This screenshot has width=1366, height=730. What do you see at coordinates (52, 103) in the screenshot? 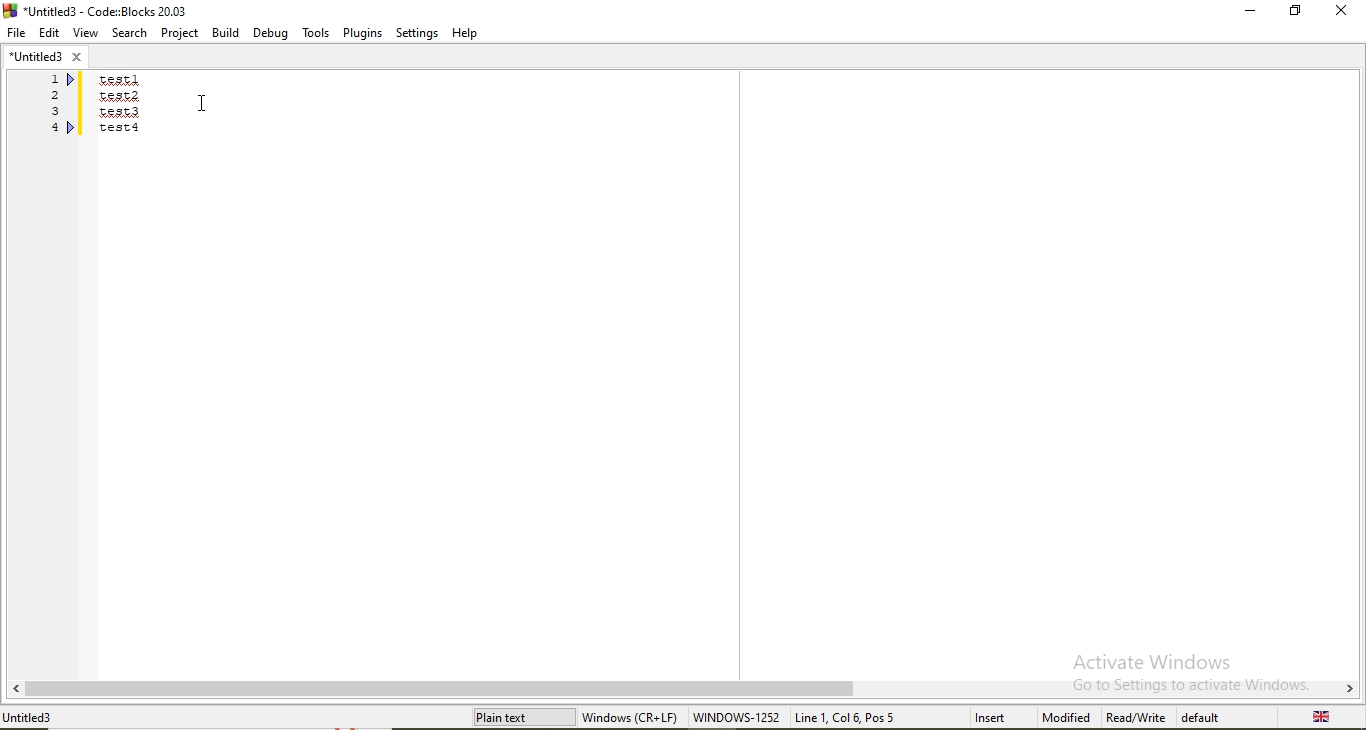
I see `serial numbers 1,2,3,4` at bounding box center [52, 103].